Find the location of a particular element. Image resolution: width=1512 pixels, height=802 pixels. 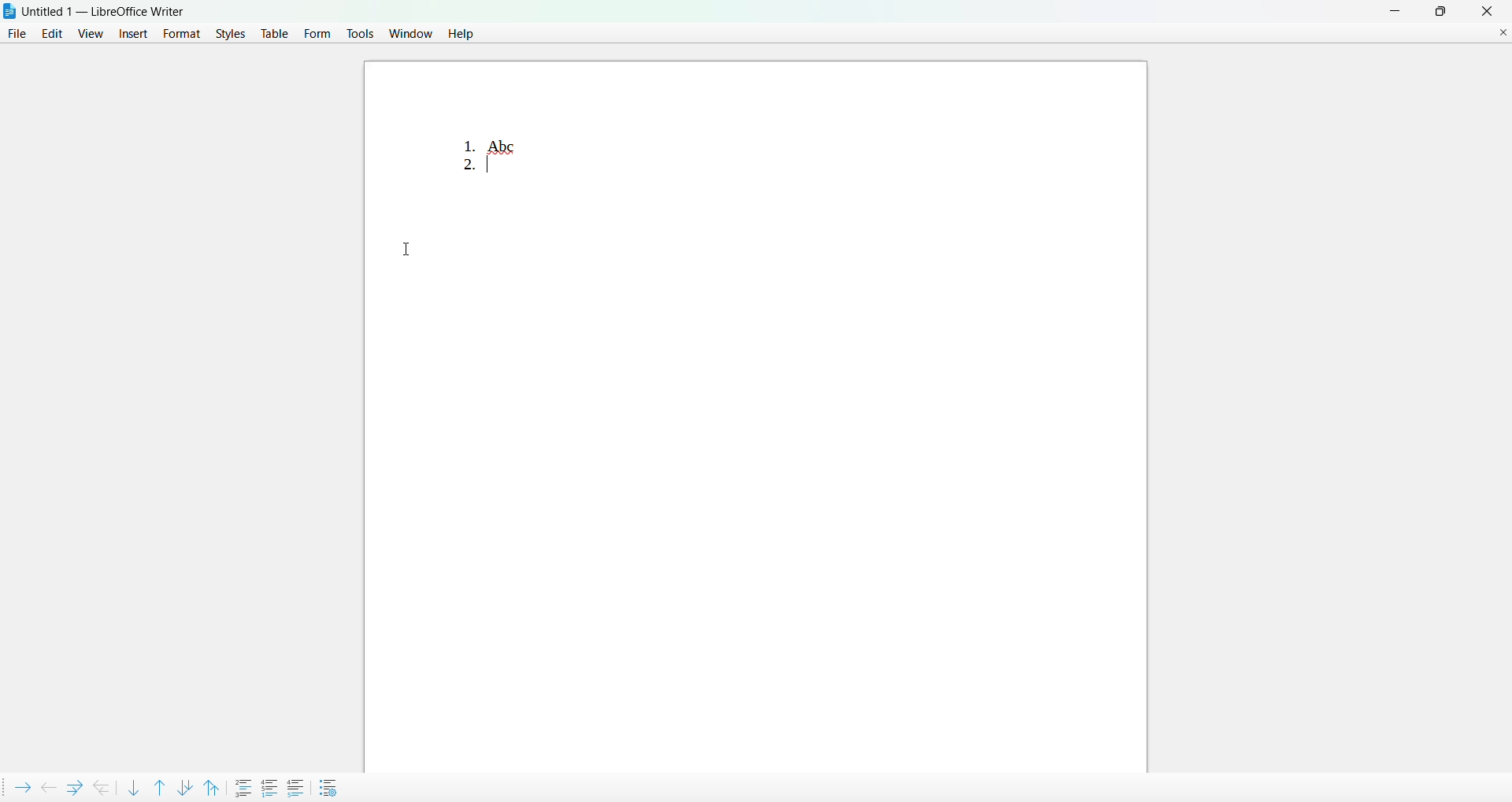

Untitled 1 - LibreOffice Writer is located at coordinates (106, 11).